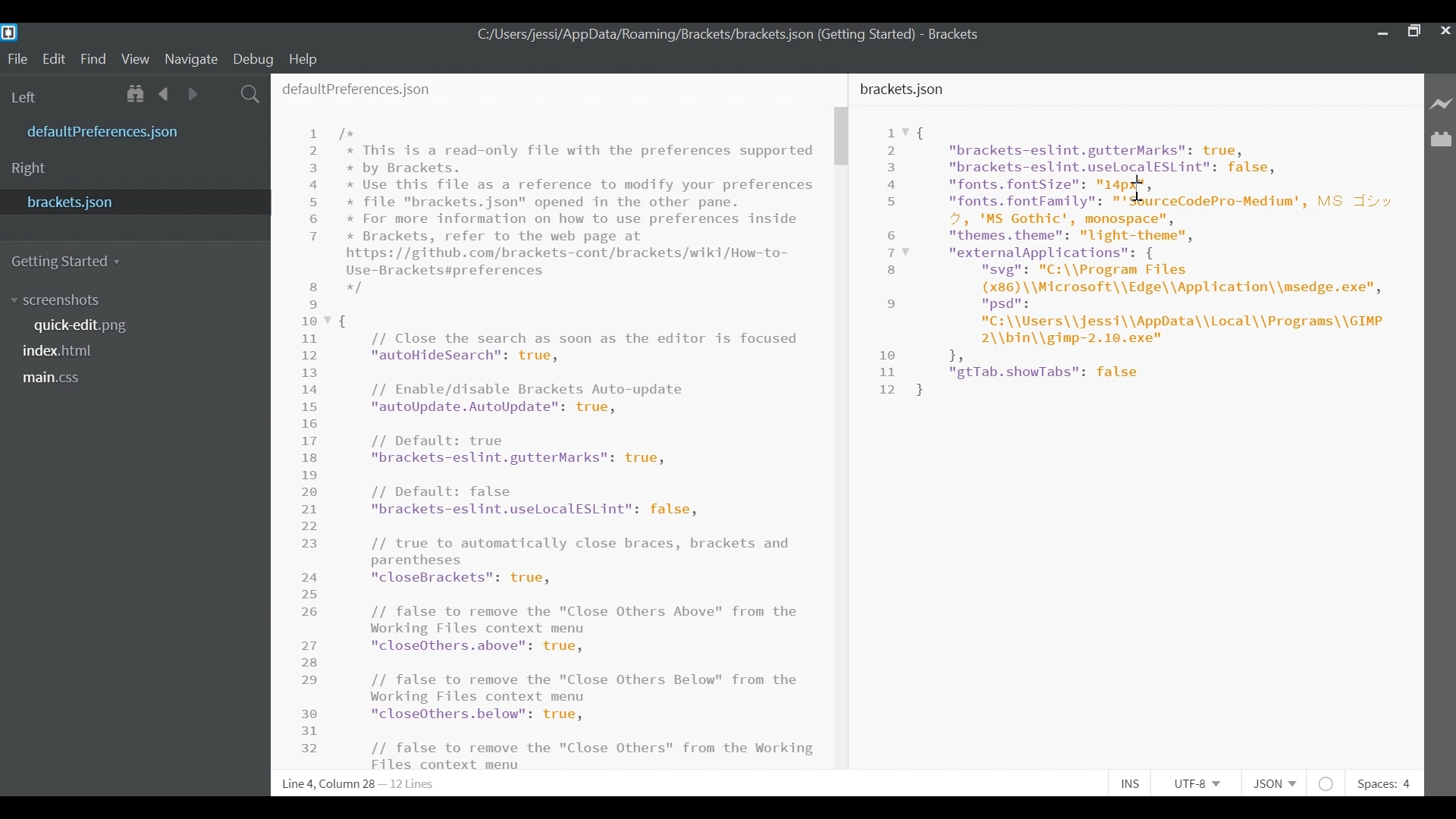  Describe the element at coordinates (1414, 32) in the screenshot. I see `Restore` at that location.